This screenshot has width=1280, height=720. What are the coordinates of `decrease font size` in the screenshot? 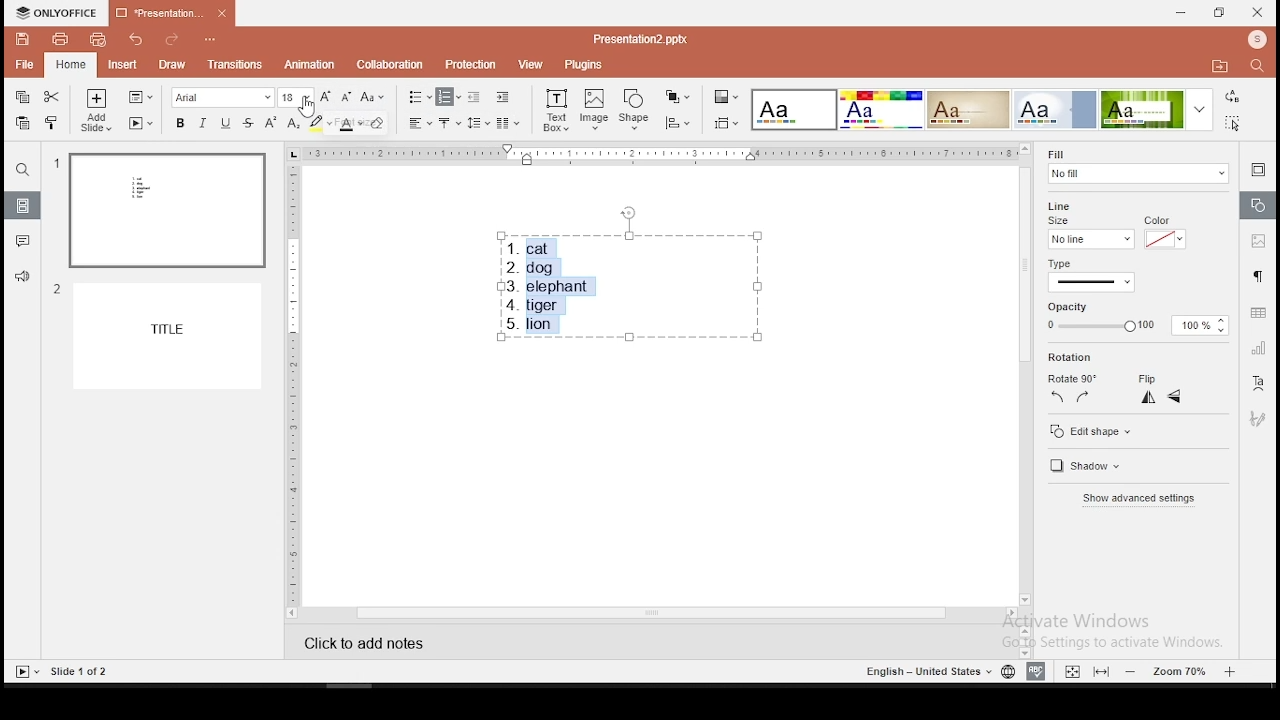 It's located at (348, 97).